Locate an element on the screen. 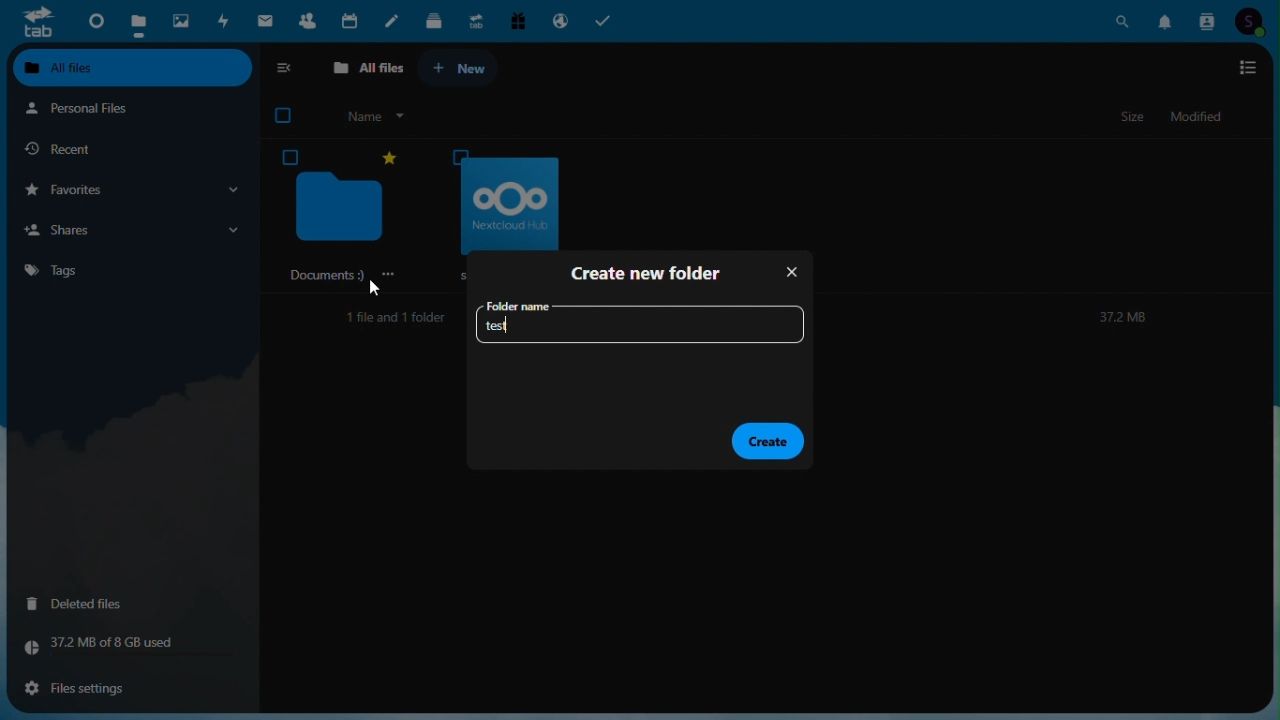 This screenshot has width=1280, height=720. Notifications is located at coordinates (1167, 21).